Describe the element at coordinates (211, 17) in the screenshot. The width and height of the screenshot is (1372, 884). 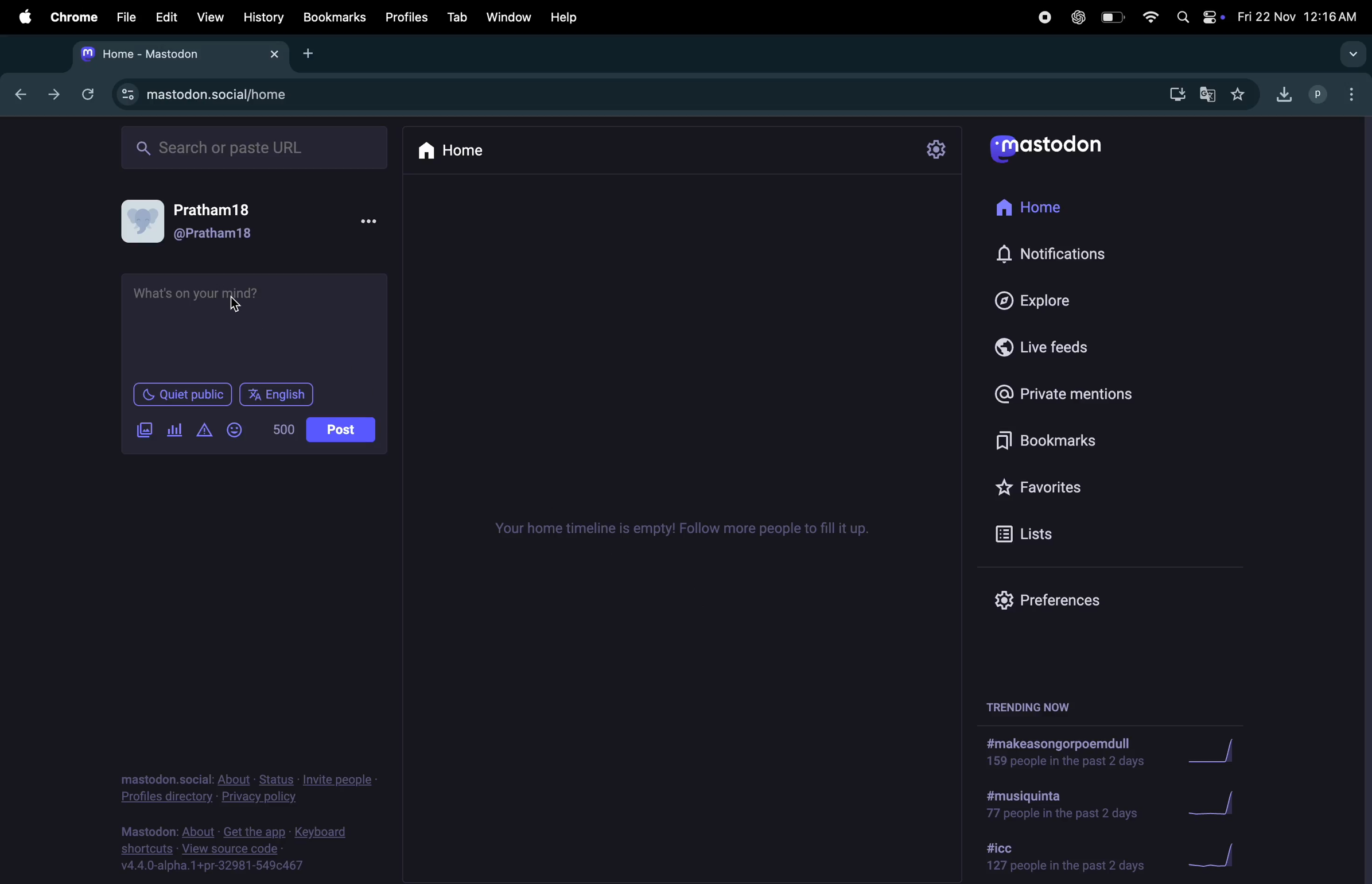
I see `view` at that location.